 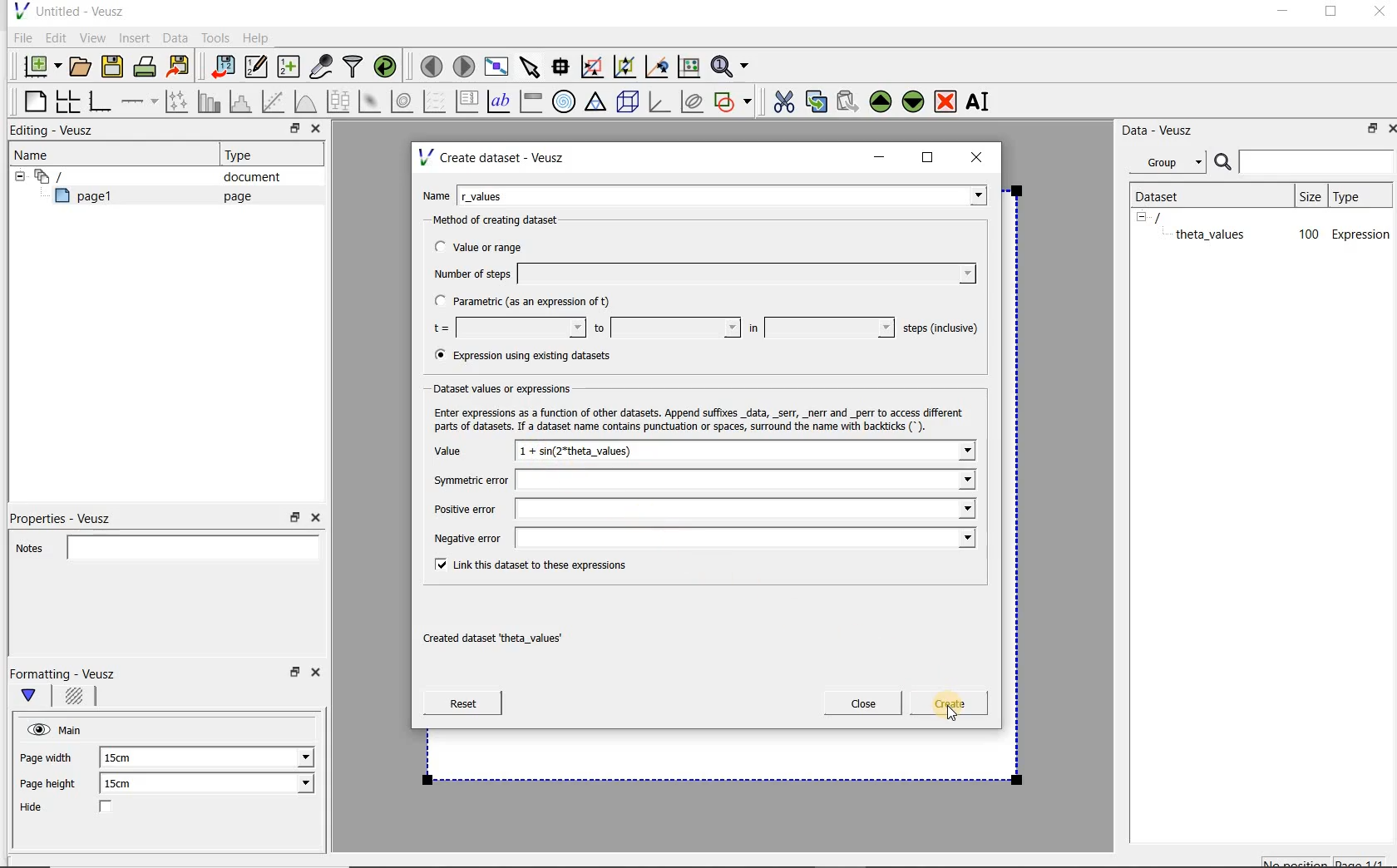 I want to click on Notes, so click(x=162, y=545).